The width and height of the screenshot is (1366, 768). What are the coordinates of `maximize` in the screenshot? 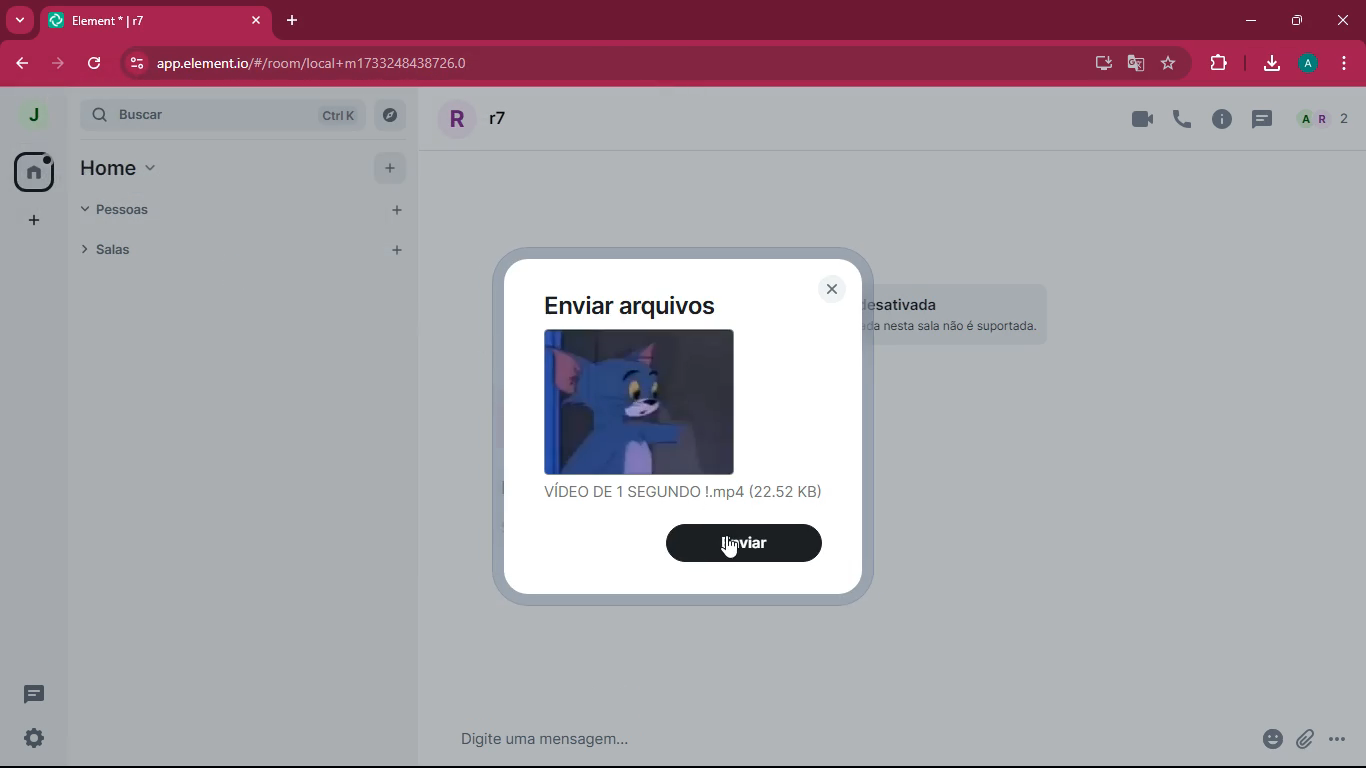 It's located at (1296, 20).